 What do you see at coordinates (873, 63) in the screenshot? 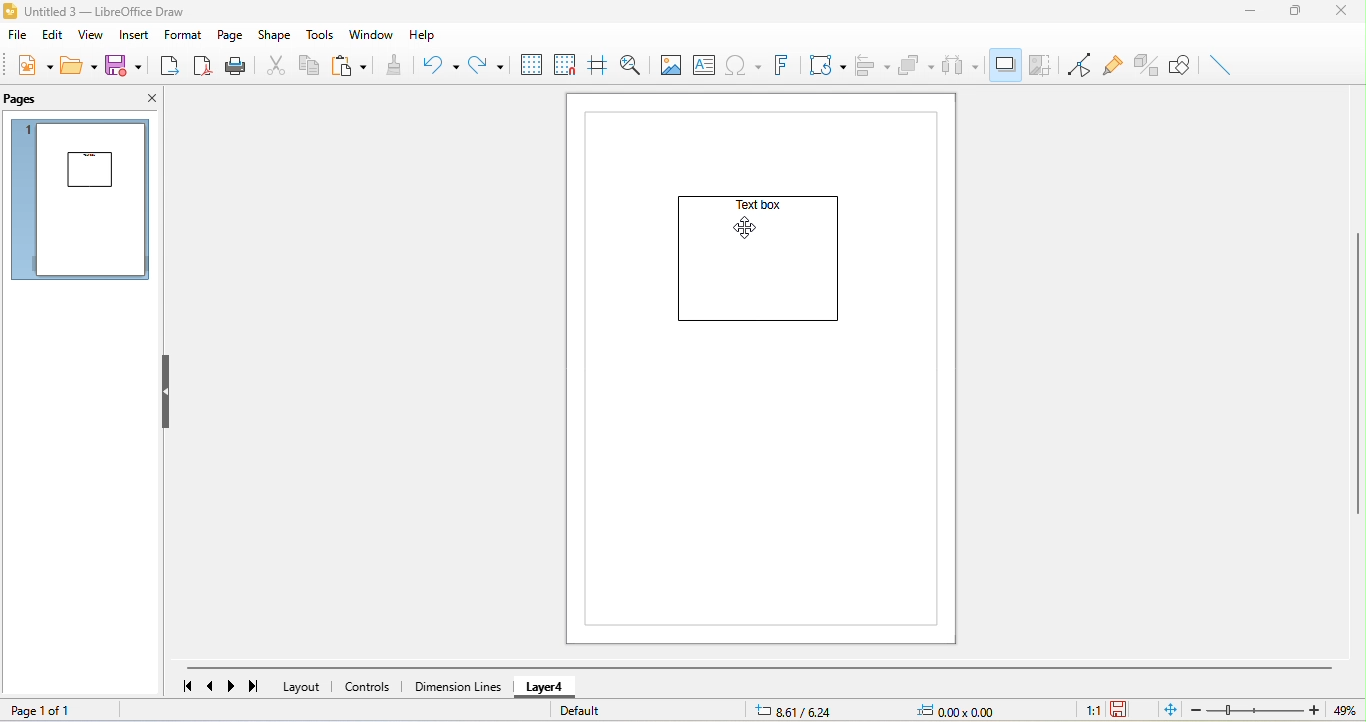
I see `align object ` at bounding box center [873, 63].